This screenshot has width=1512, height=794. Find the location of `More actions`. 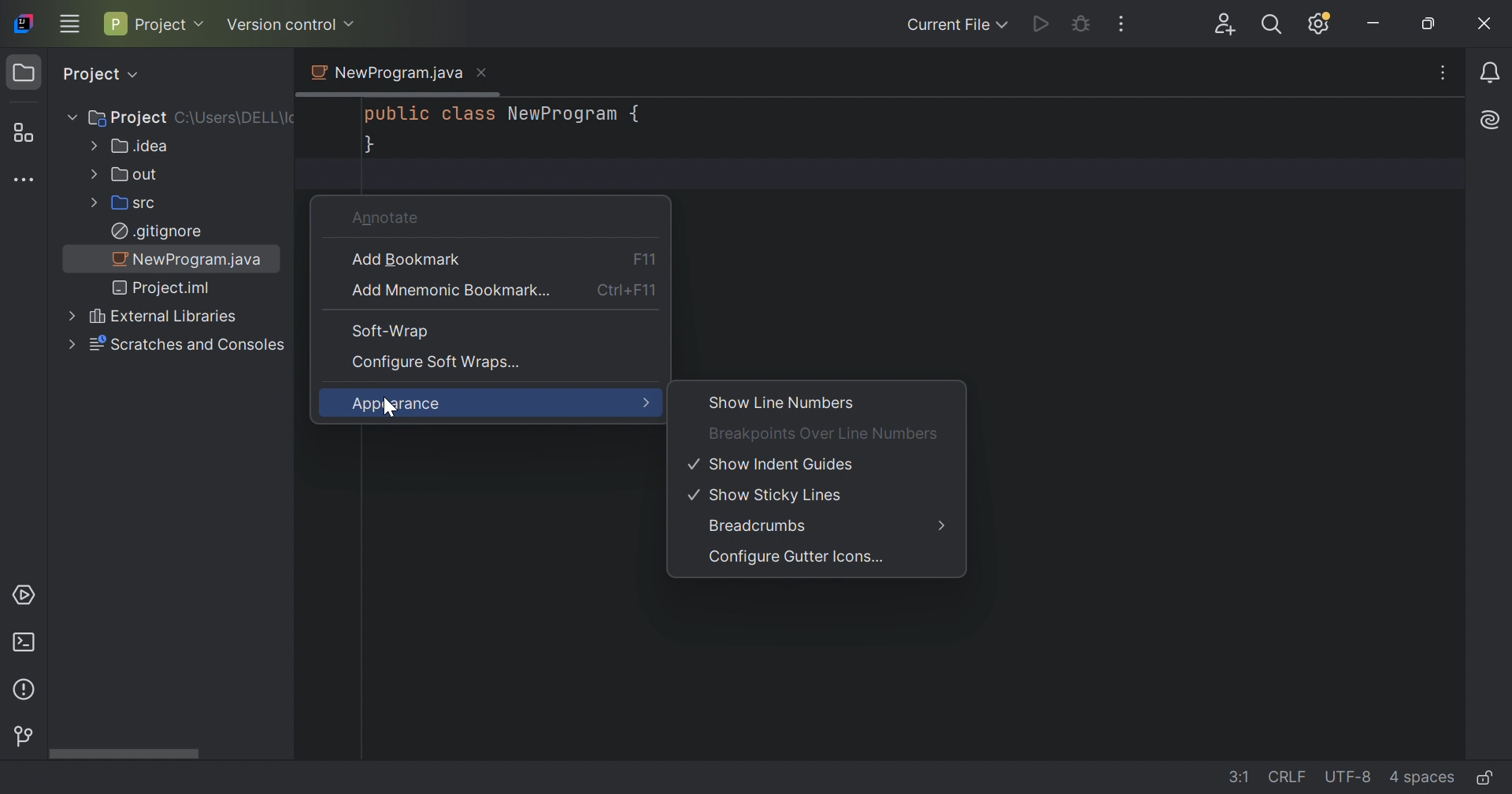

More actions is located at coordinates (1123, 25).